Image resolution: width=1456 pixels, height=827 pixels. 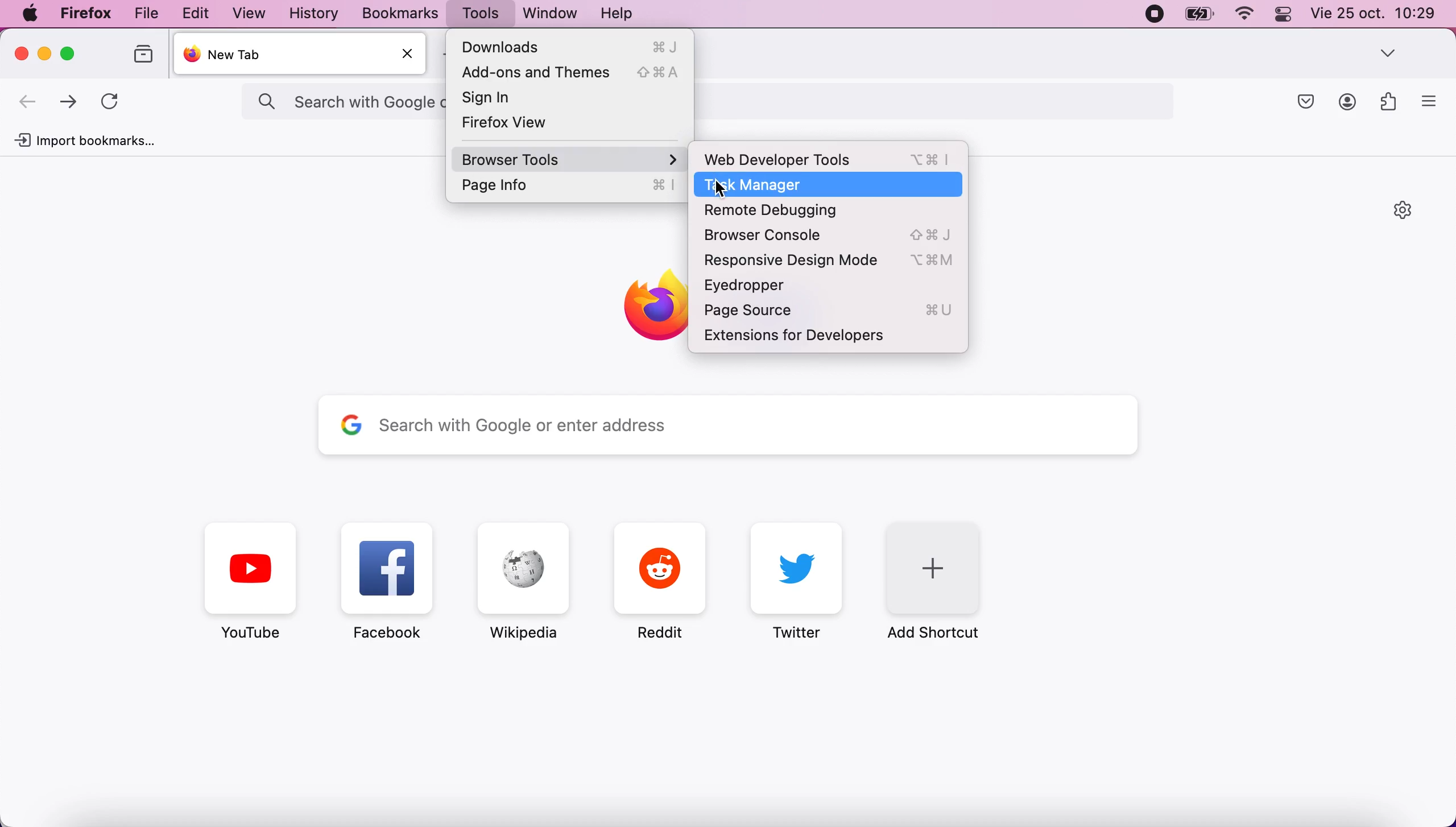 What do you see at coordinates (109, 103) in the screenshot?
I see `Refresh` at bounding box center [109, 103].